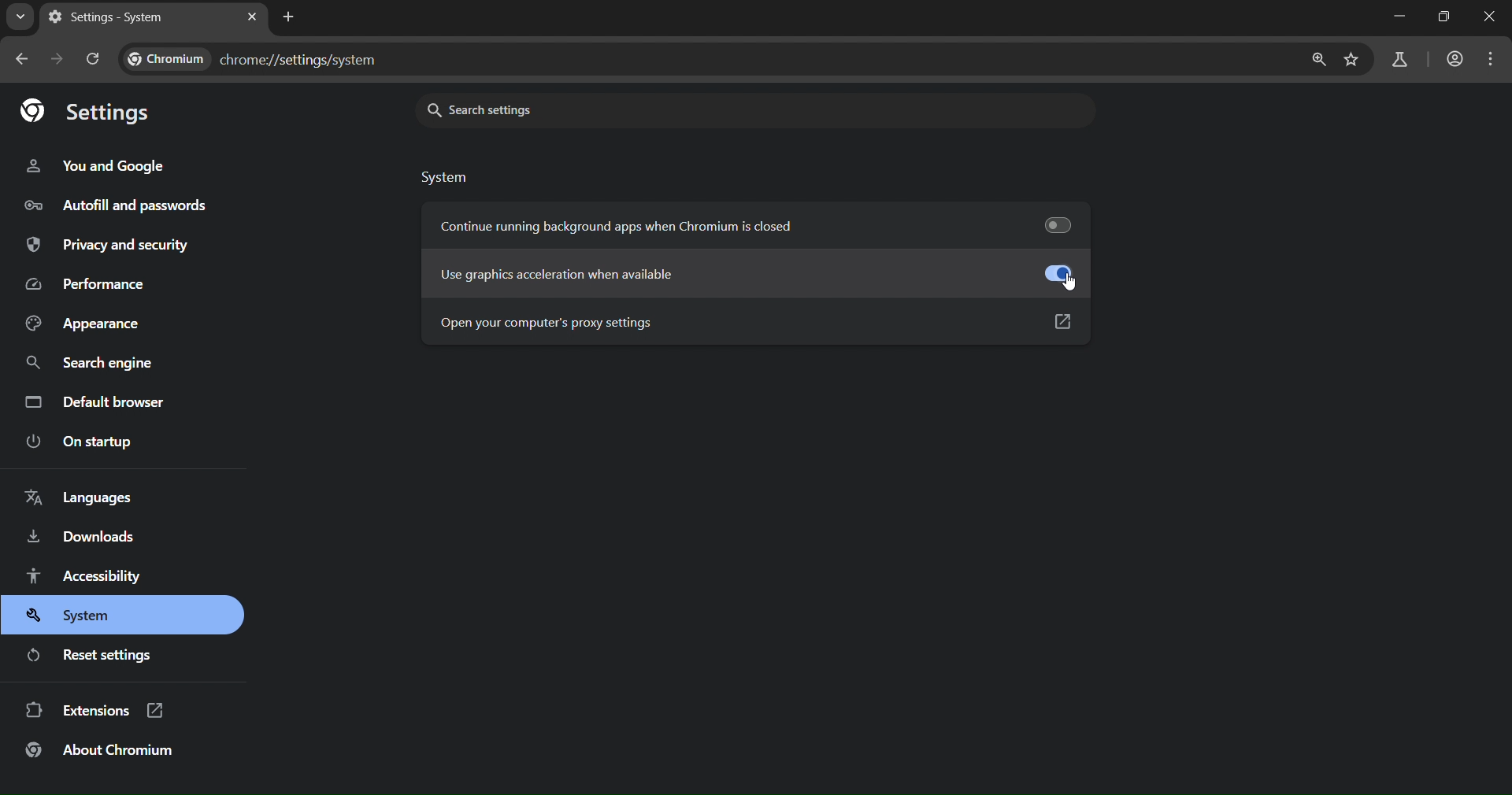 This screenshot has height=795, width=1512. Describe the element at coordinates (76, 614) in the screenshot. I see `system` at that location.